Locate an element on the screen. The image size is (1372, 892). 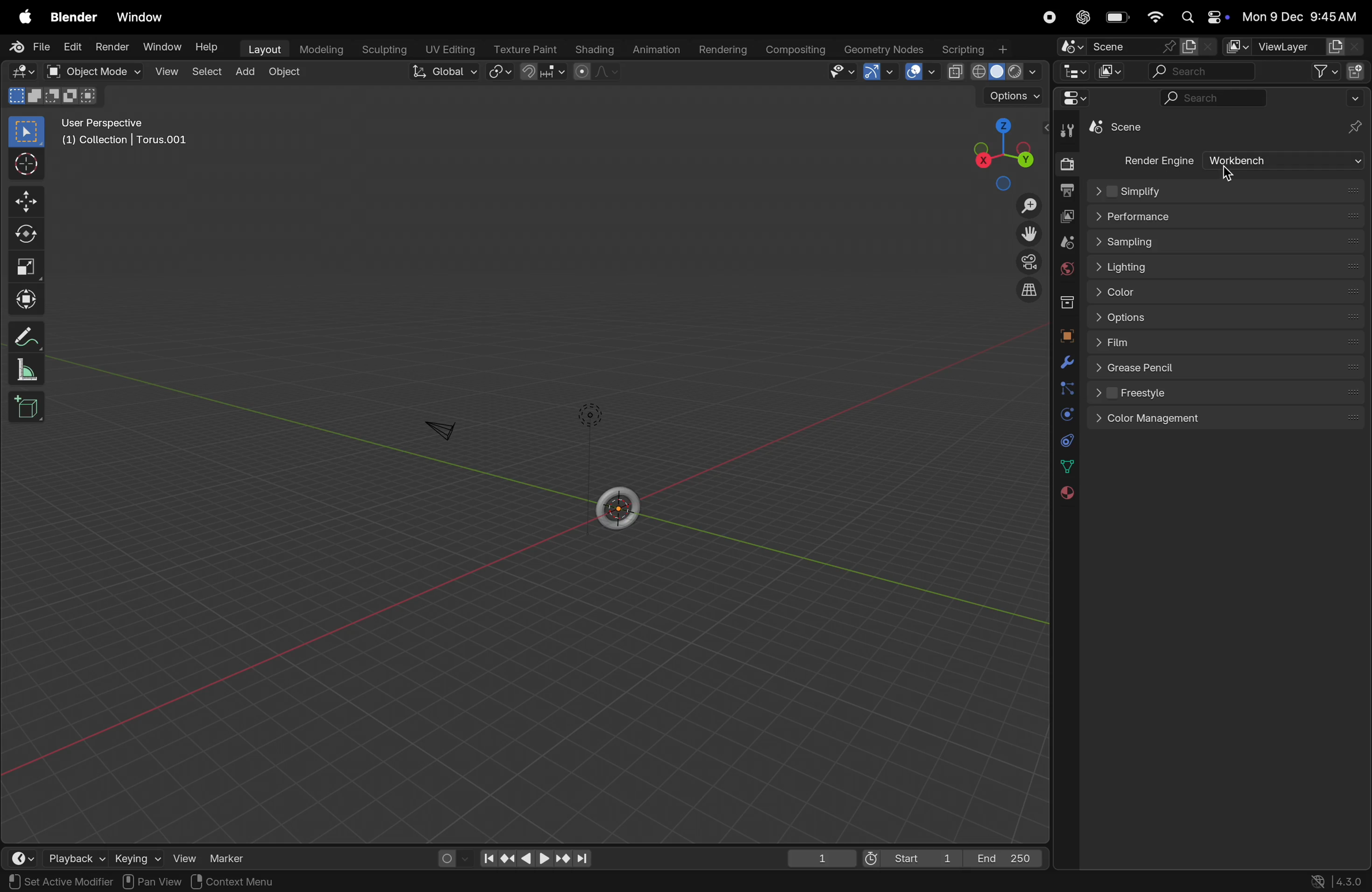
render is located at coordinates (114, 47).